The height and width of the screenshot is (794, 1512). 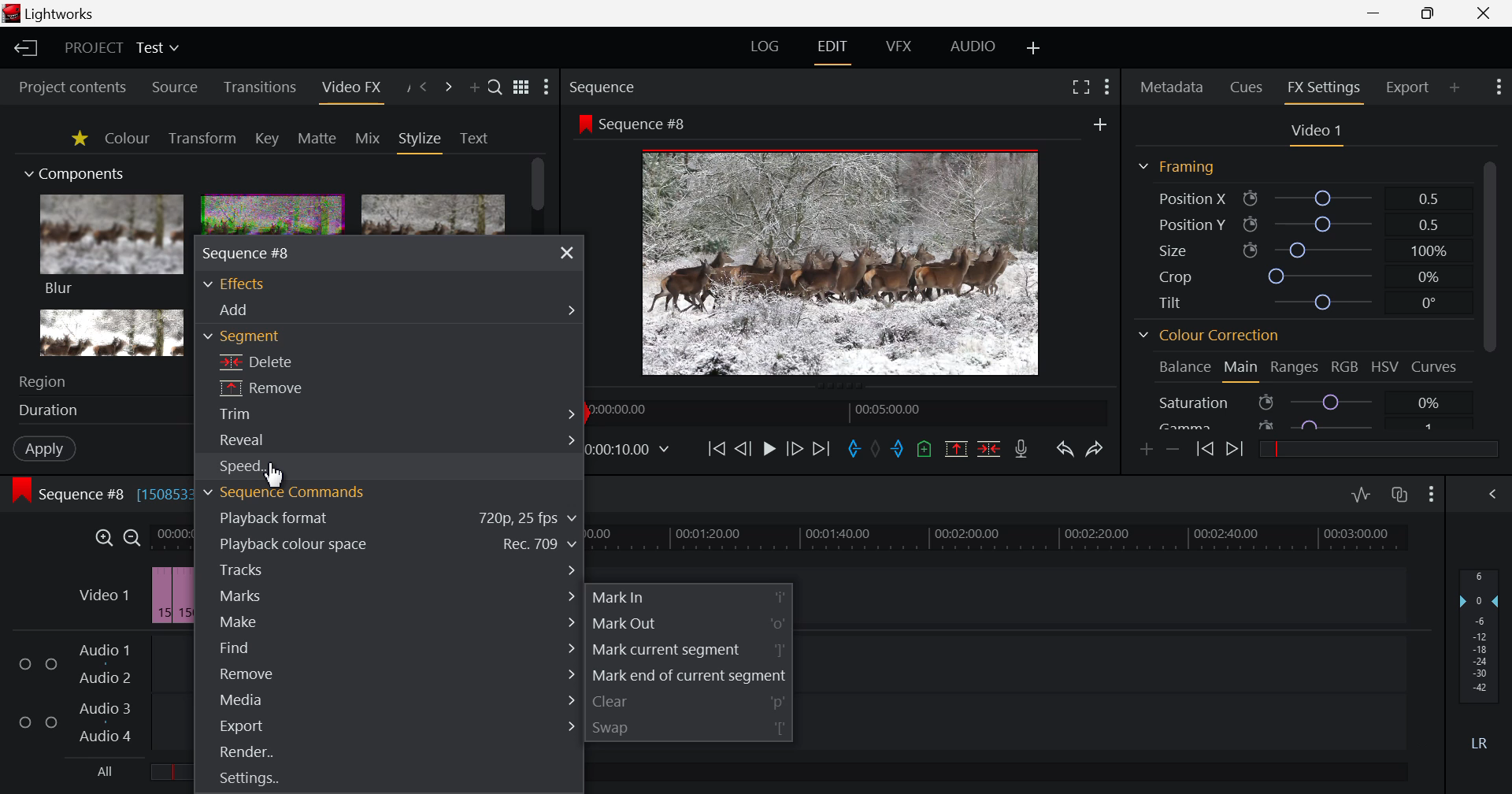 What do you see at coordinates (496, 88) in the screenshot?
I see `Search` at bounding box center [496, 88].